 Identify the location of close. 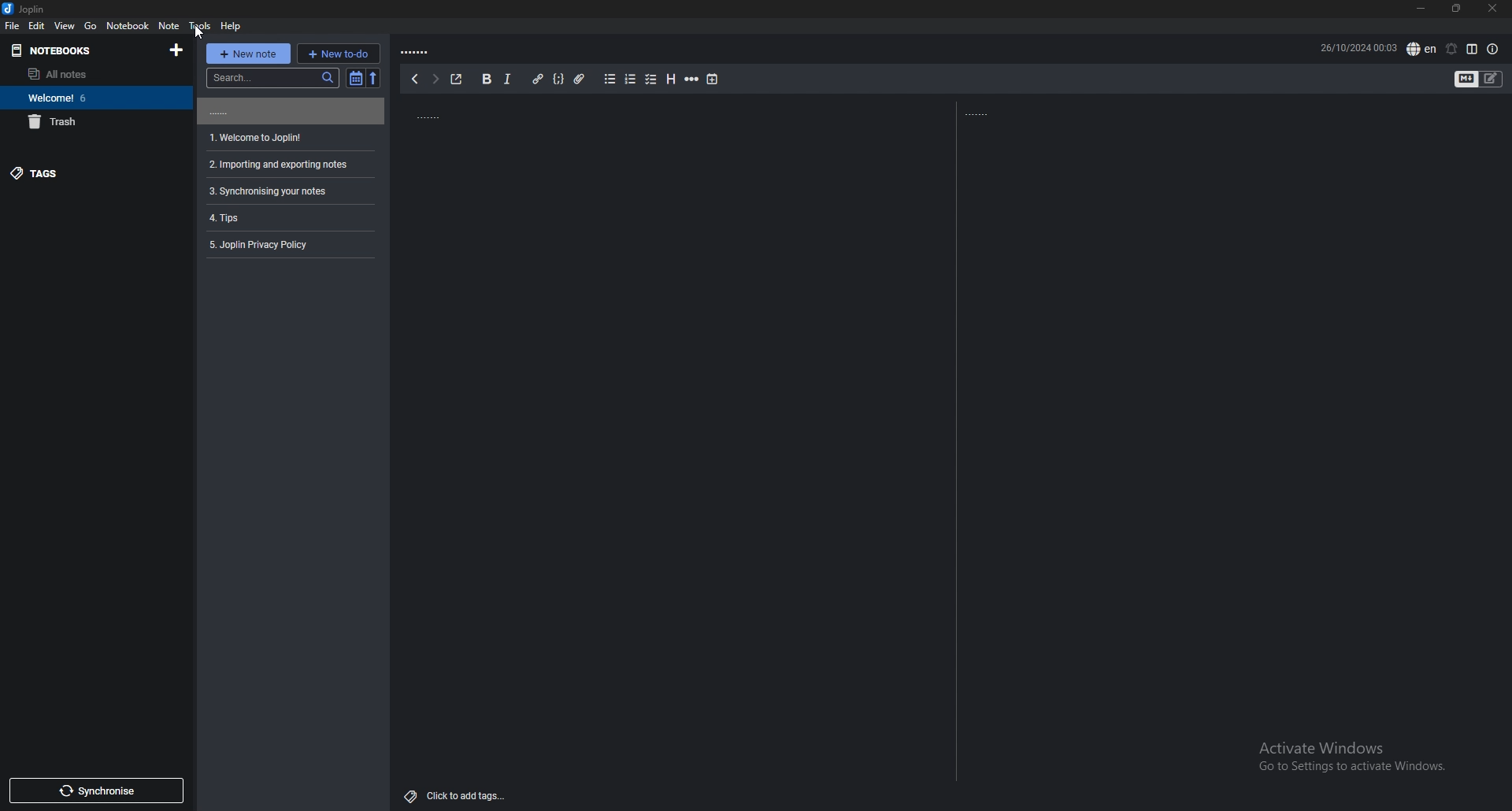
(1494, 8).